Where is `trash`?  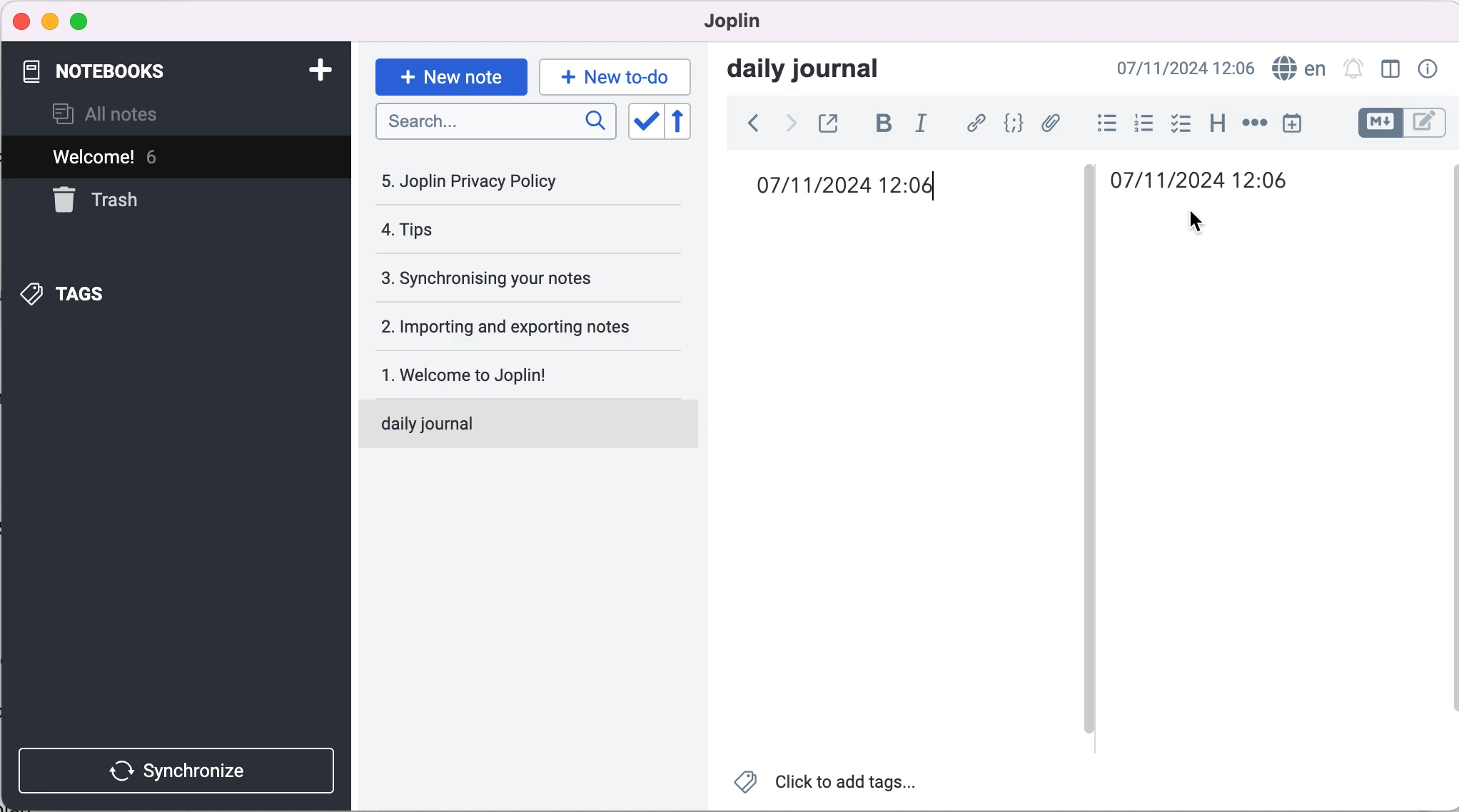
trash is located at coordinates (141, 202).